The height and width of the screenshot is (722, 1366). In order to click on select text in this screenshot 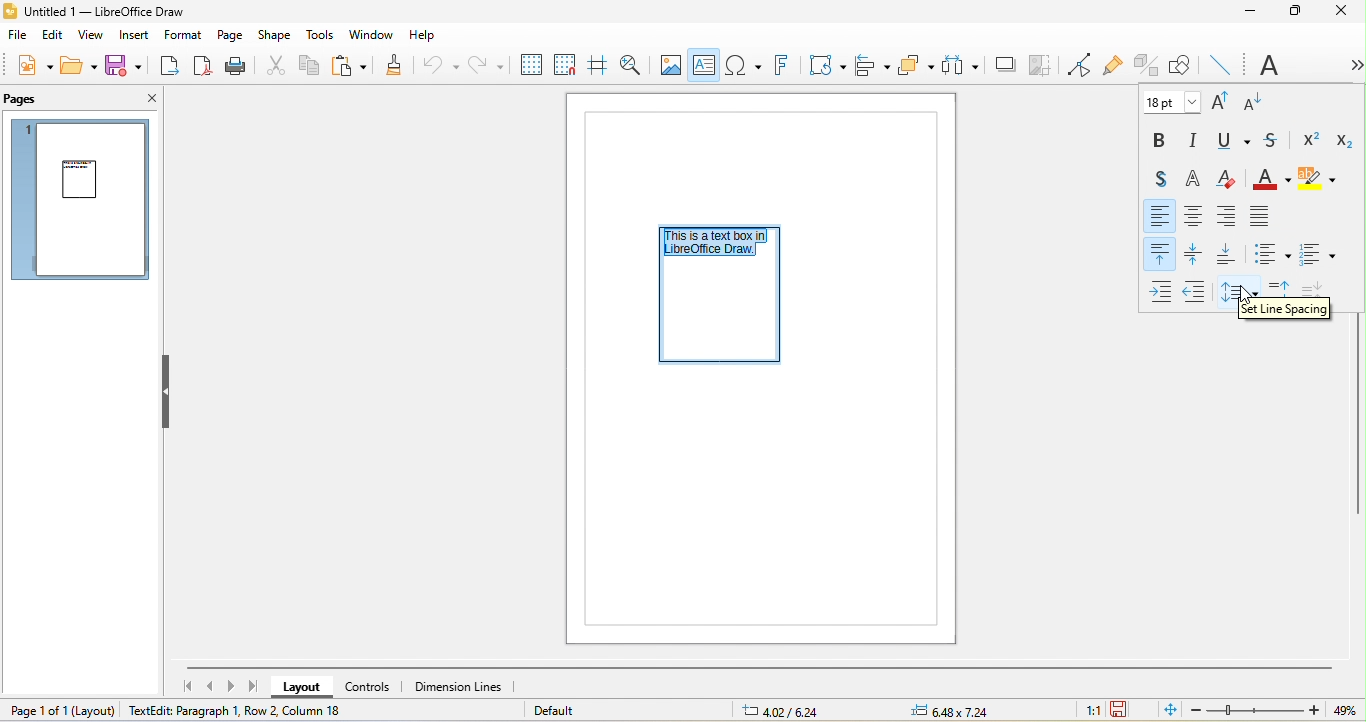, I will do `click(722, 245)`.